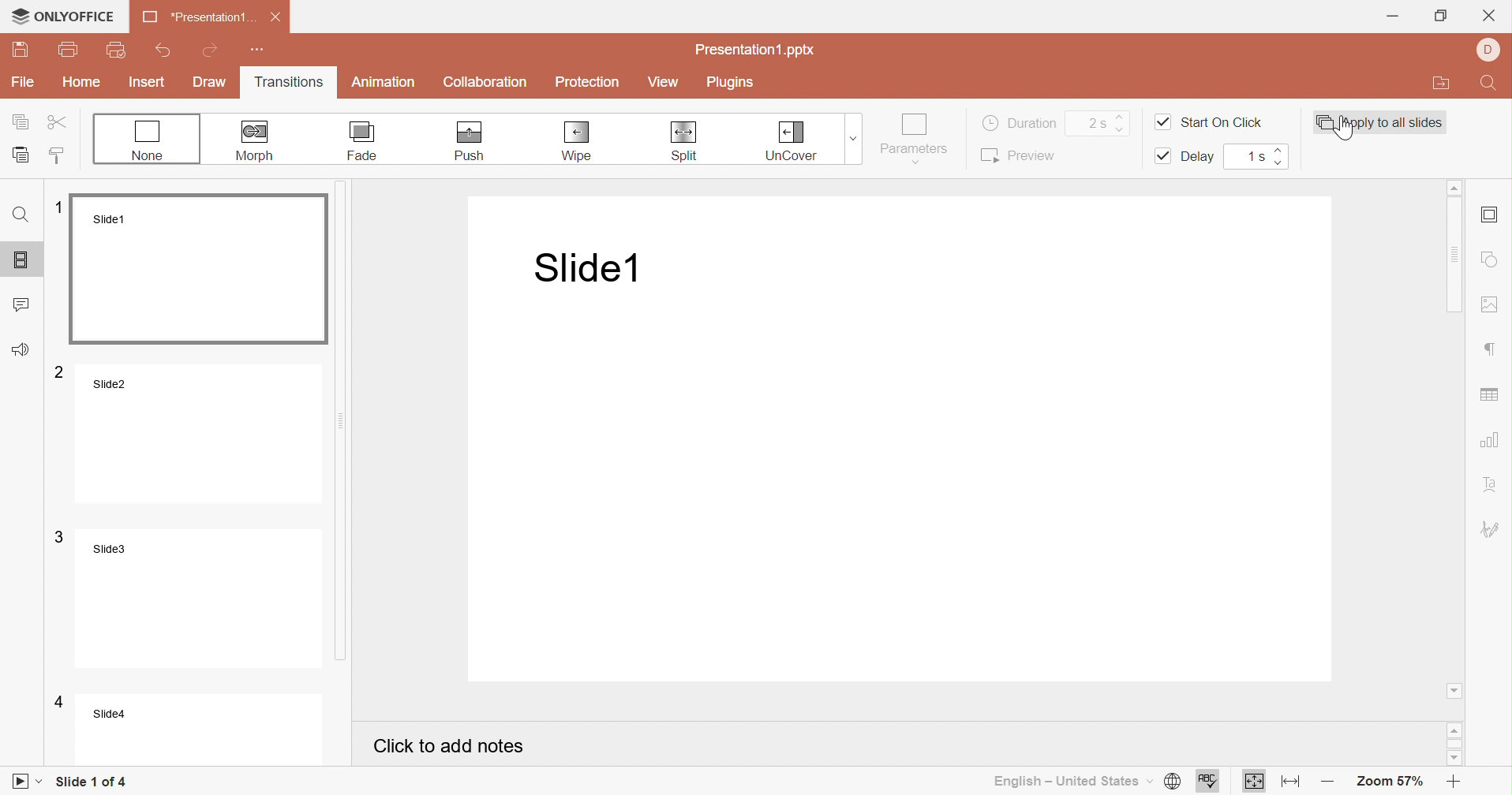  What do you see at coordinates (22, 153) in the screenshot?
I see `Paste` at bounding box center [22, 153].